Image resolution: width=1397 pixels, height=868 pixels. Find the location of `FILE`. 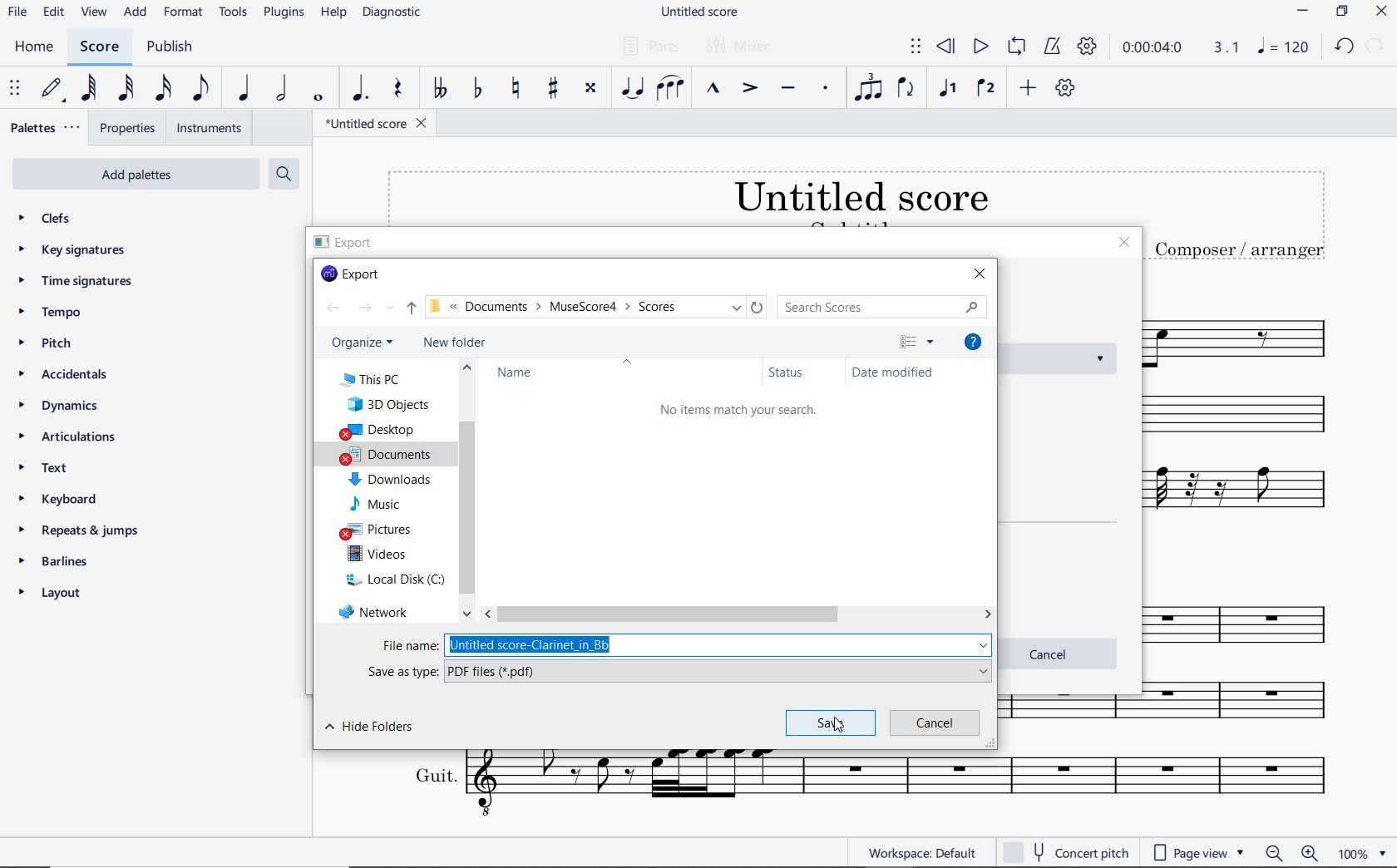

FILE is located at coordinates (17, 13).